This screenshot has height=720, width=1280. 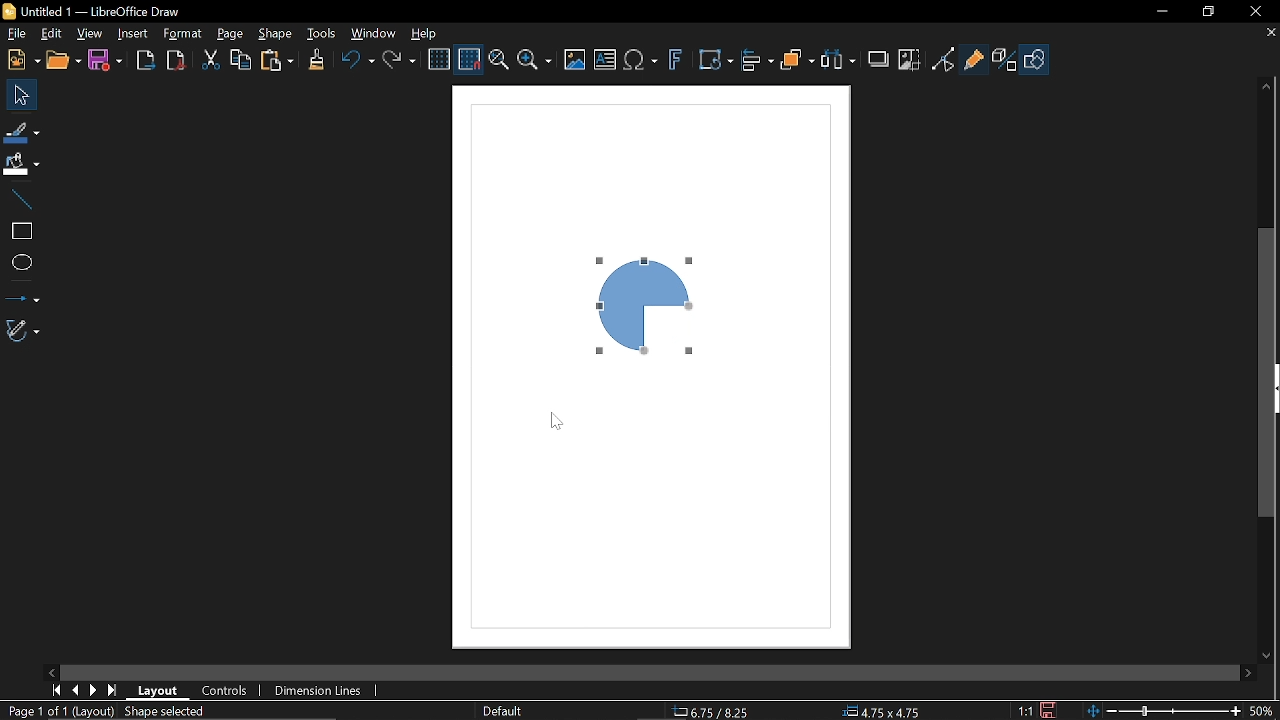 What do you see at coordinates (22, 95) in the screenshot?
I see `Select` at bounding box center [22, 95].